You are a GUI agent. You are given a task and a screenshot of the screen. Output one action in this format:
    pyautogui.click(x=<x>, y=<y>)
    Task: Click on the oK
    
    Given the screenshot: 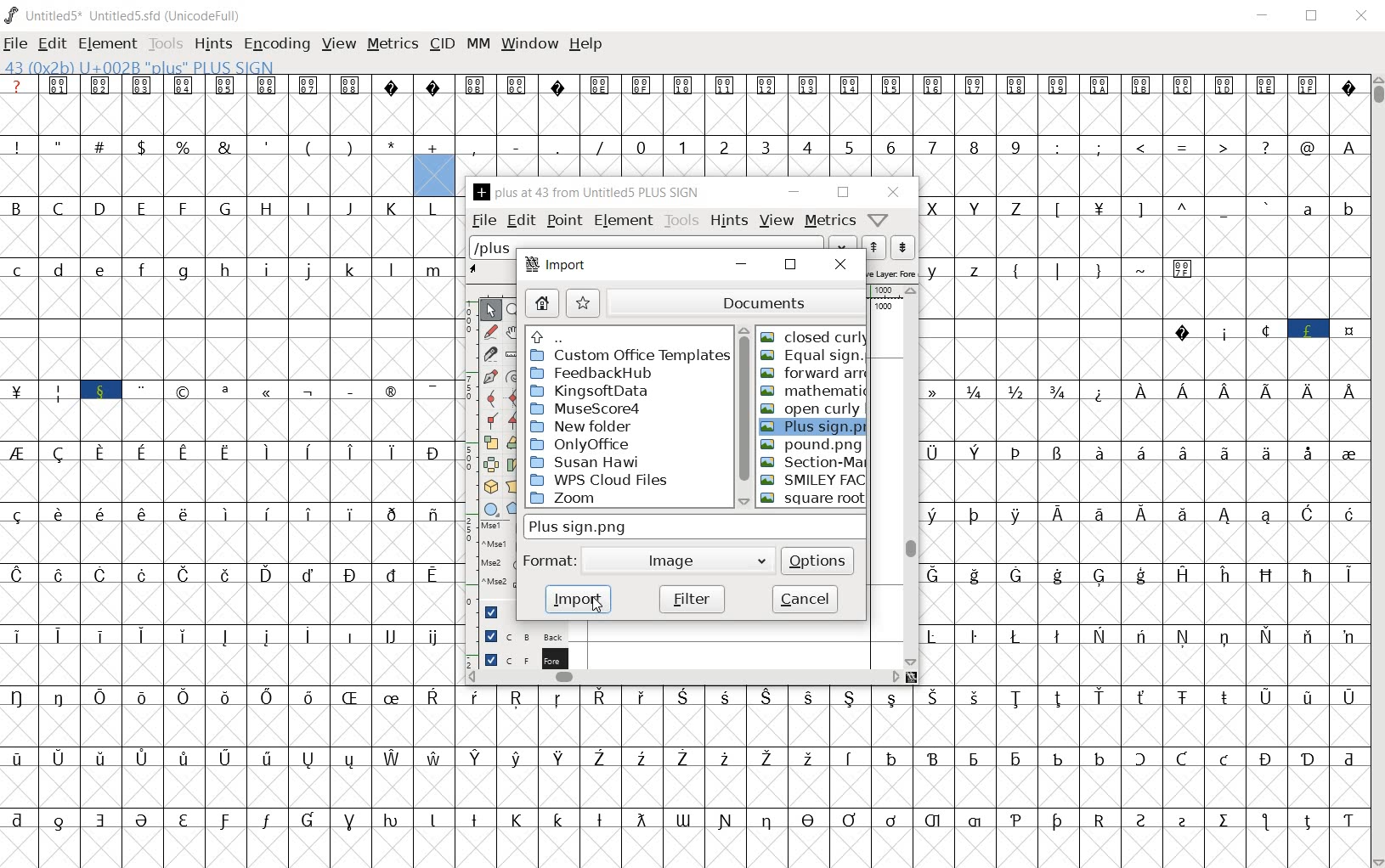 What is the action you would take?
    pyautogui.click(x=1101, y=410)
    